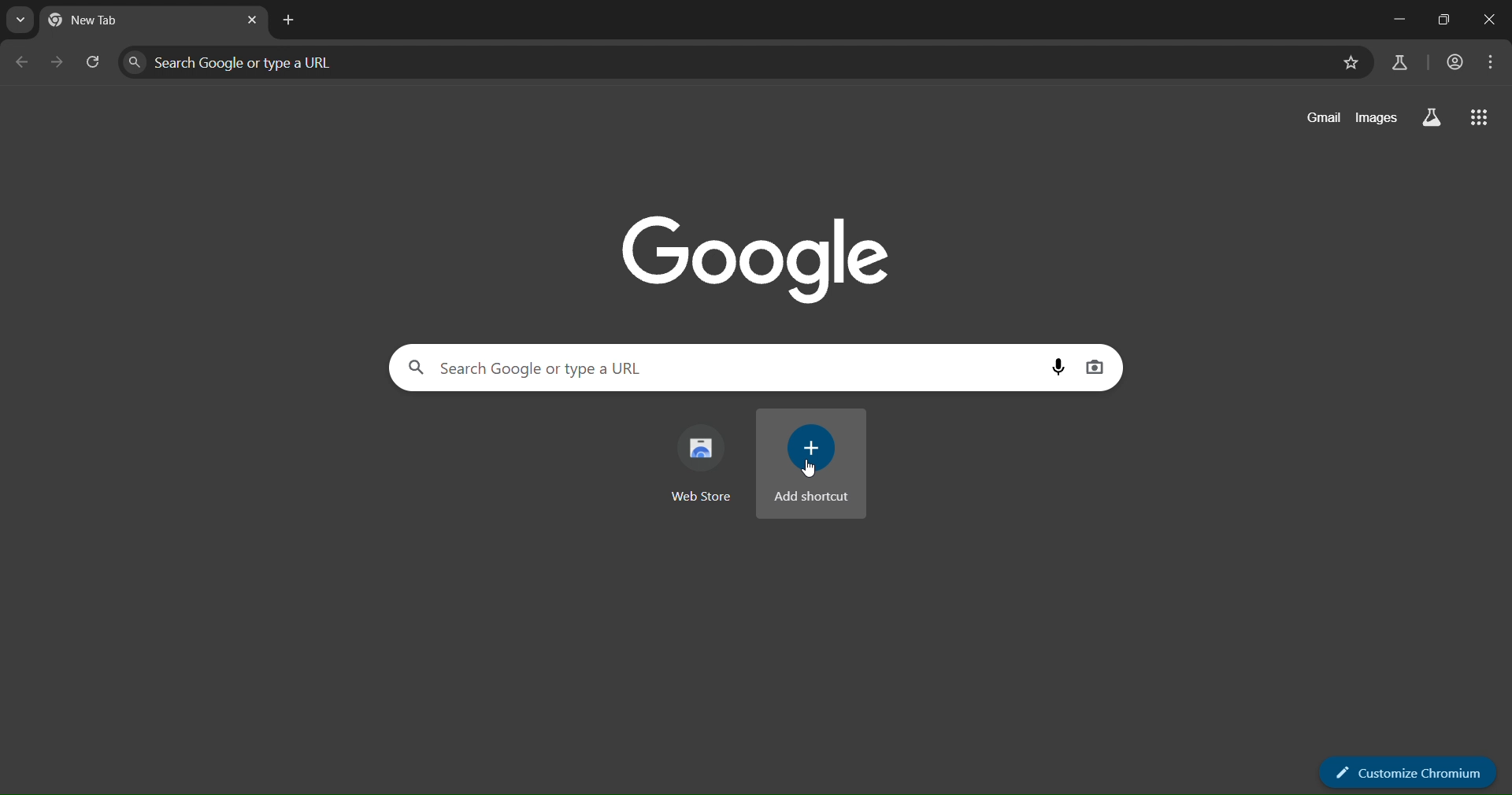 This screenshot has width=1512, height=795. I want to click on search tabs, so click(24, 20).